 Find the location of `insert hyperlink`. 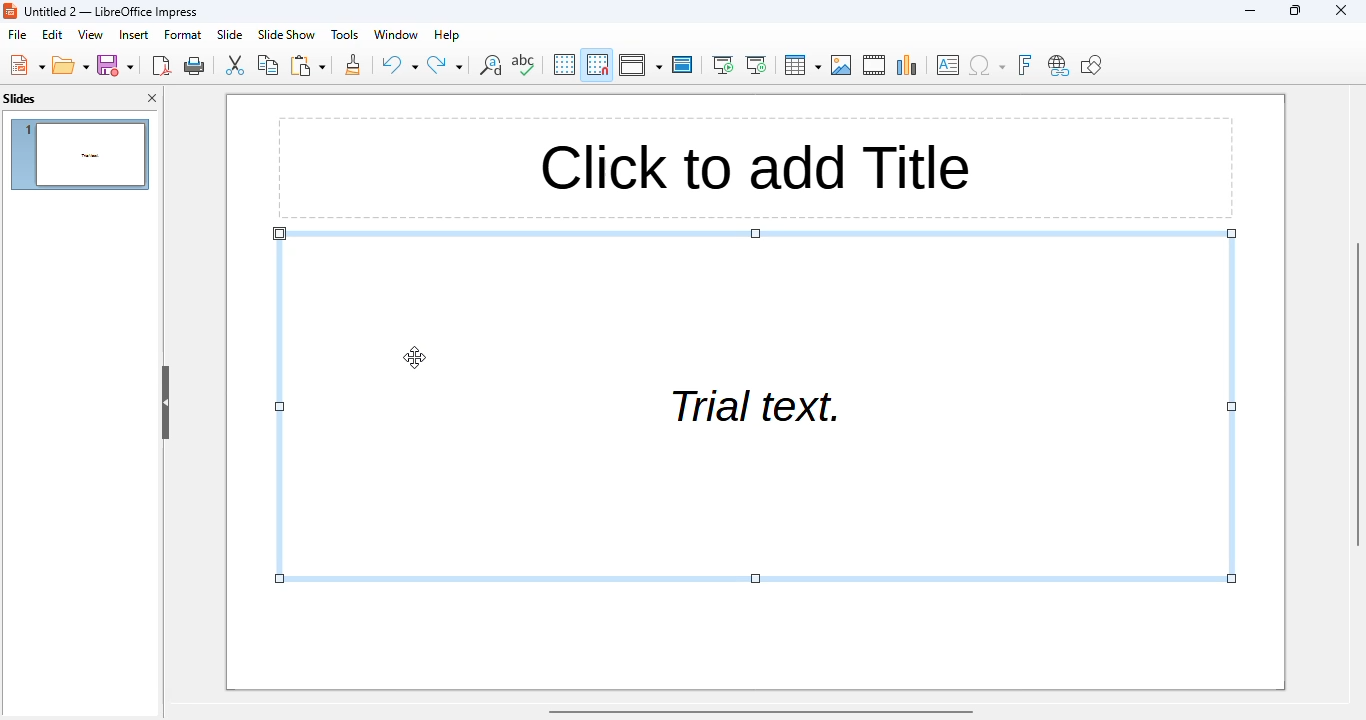

insert hyperlink is located at coordinates (1059, 65).